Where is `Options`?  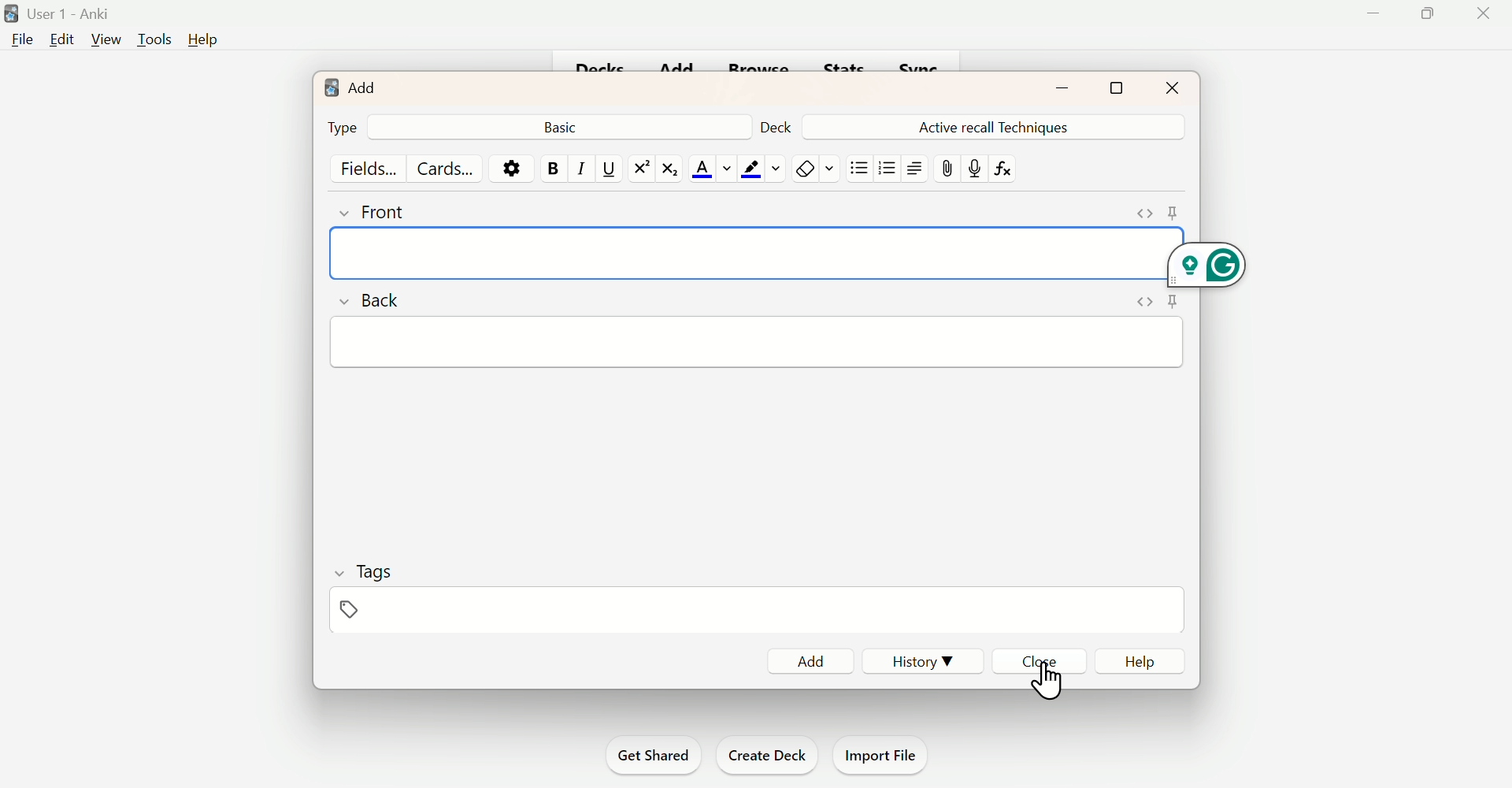 Options is located at coordinates (513, 167).